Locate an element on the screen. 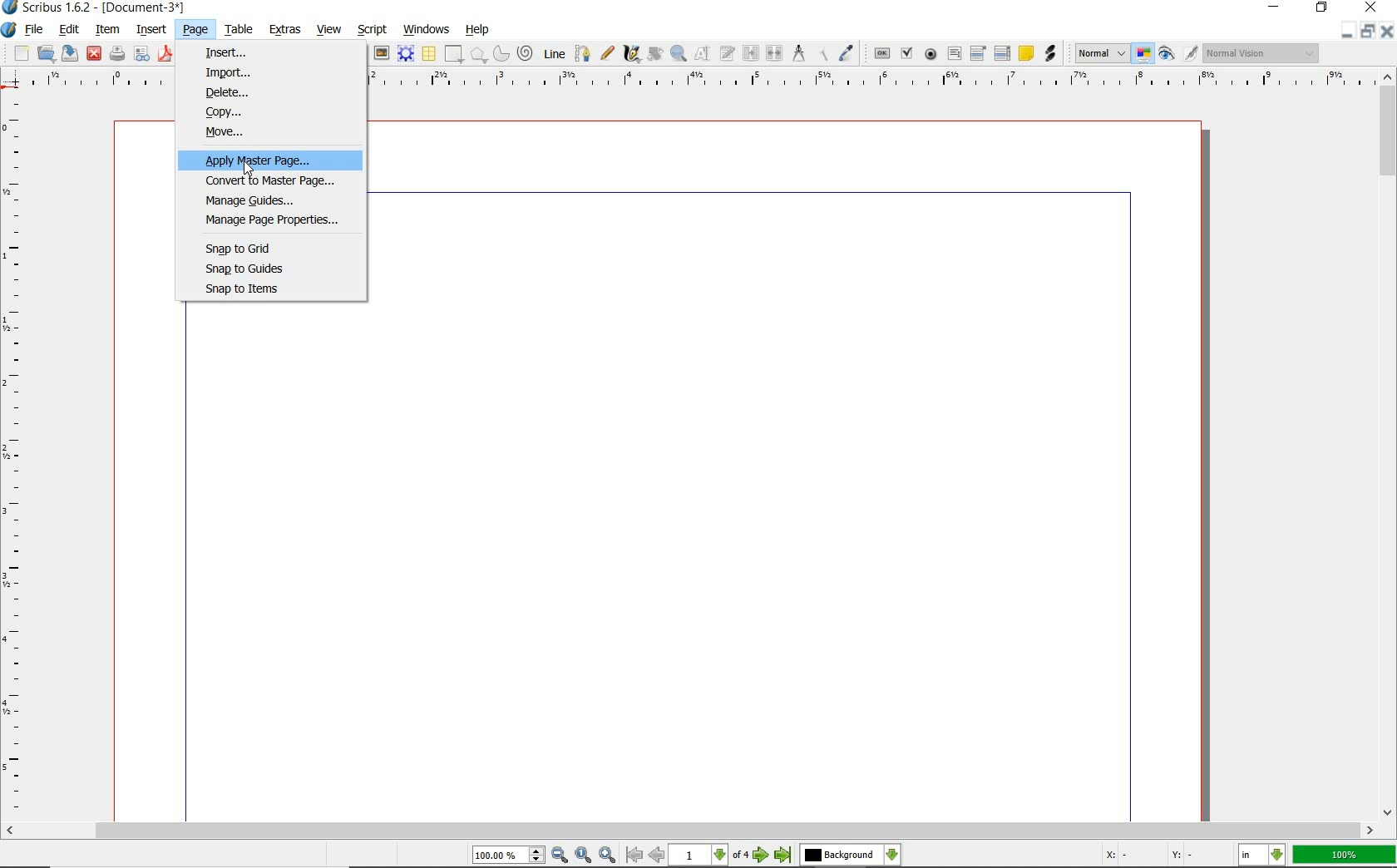  Zoom Out is located at coordinates (559, 855).